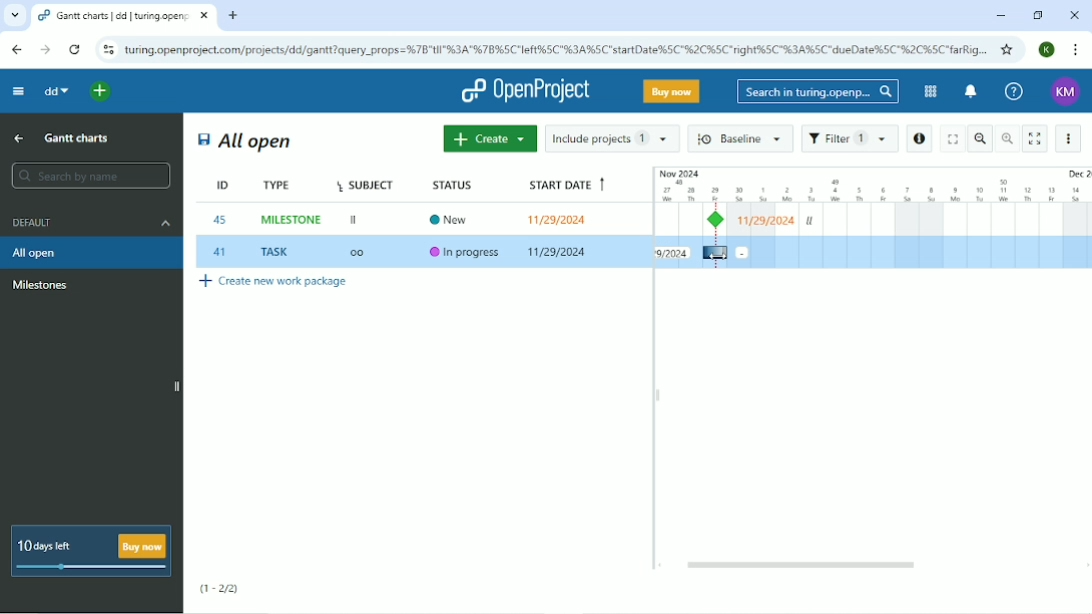 Image resolution: width=1092 pixels, height=614 pixels. What do you see at coordinates (998, 16) in the screenshot?
I see `Minimize` at bounding box center [998, 16].